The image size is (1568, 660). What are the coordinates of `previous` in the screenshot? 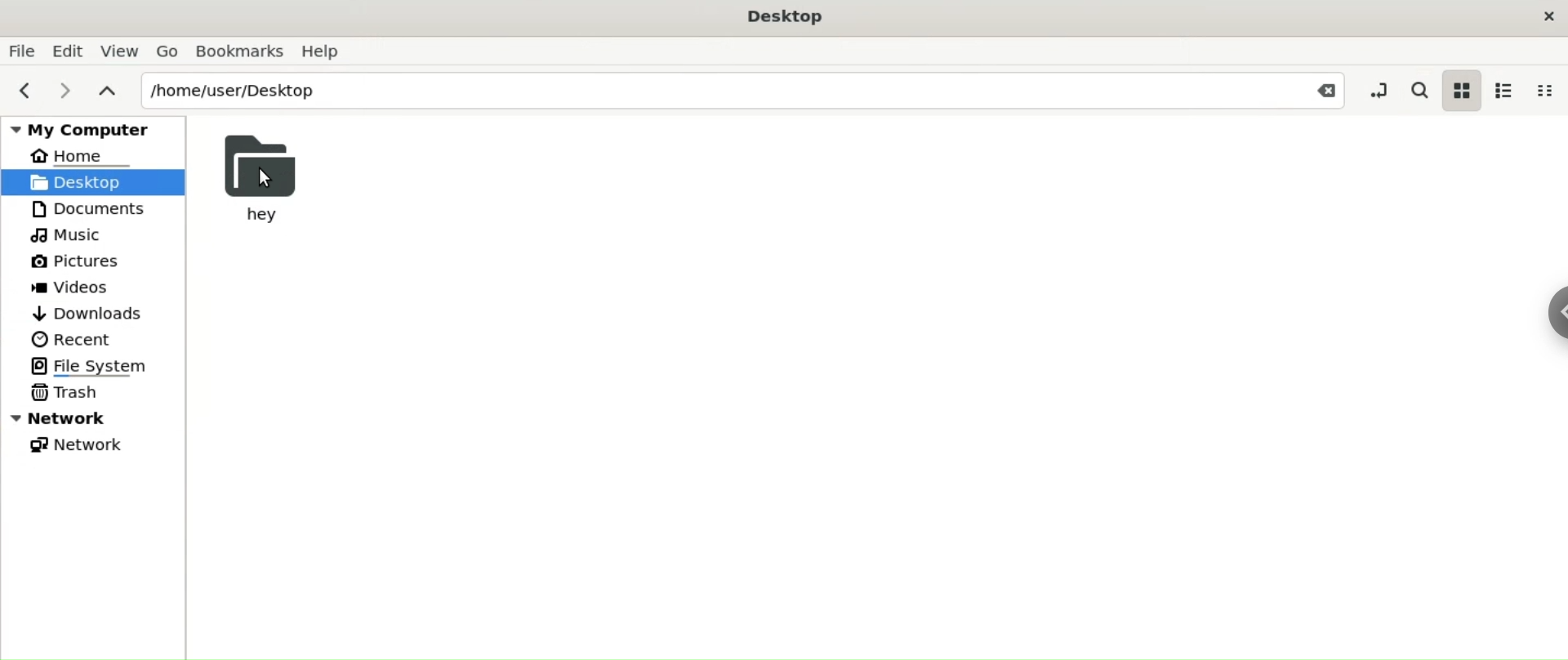 It's located at (24, 90).